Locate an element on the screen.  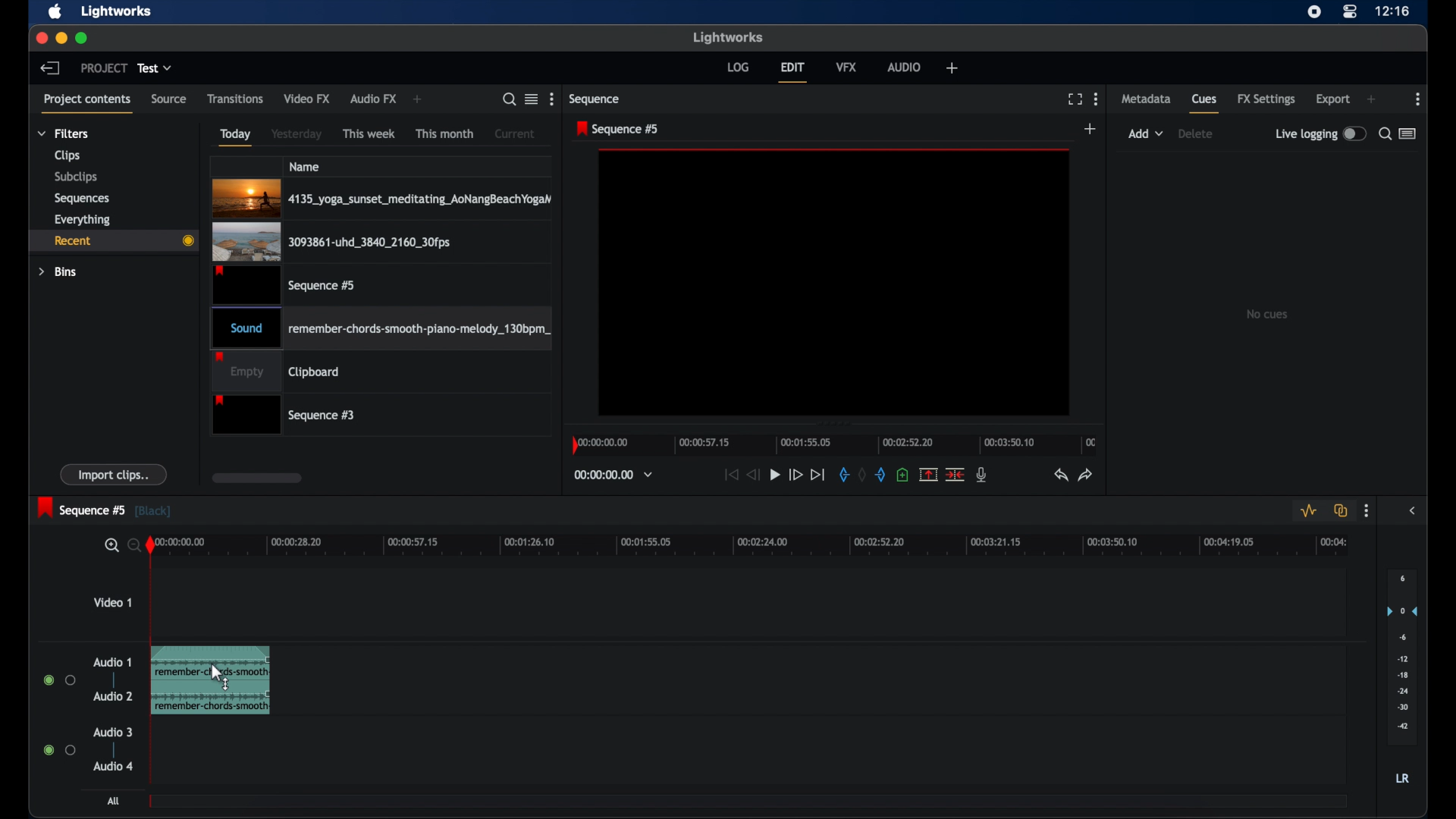
more options is located at coordinates (552, 99).